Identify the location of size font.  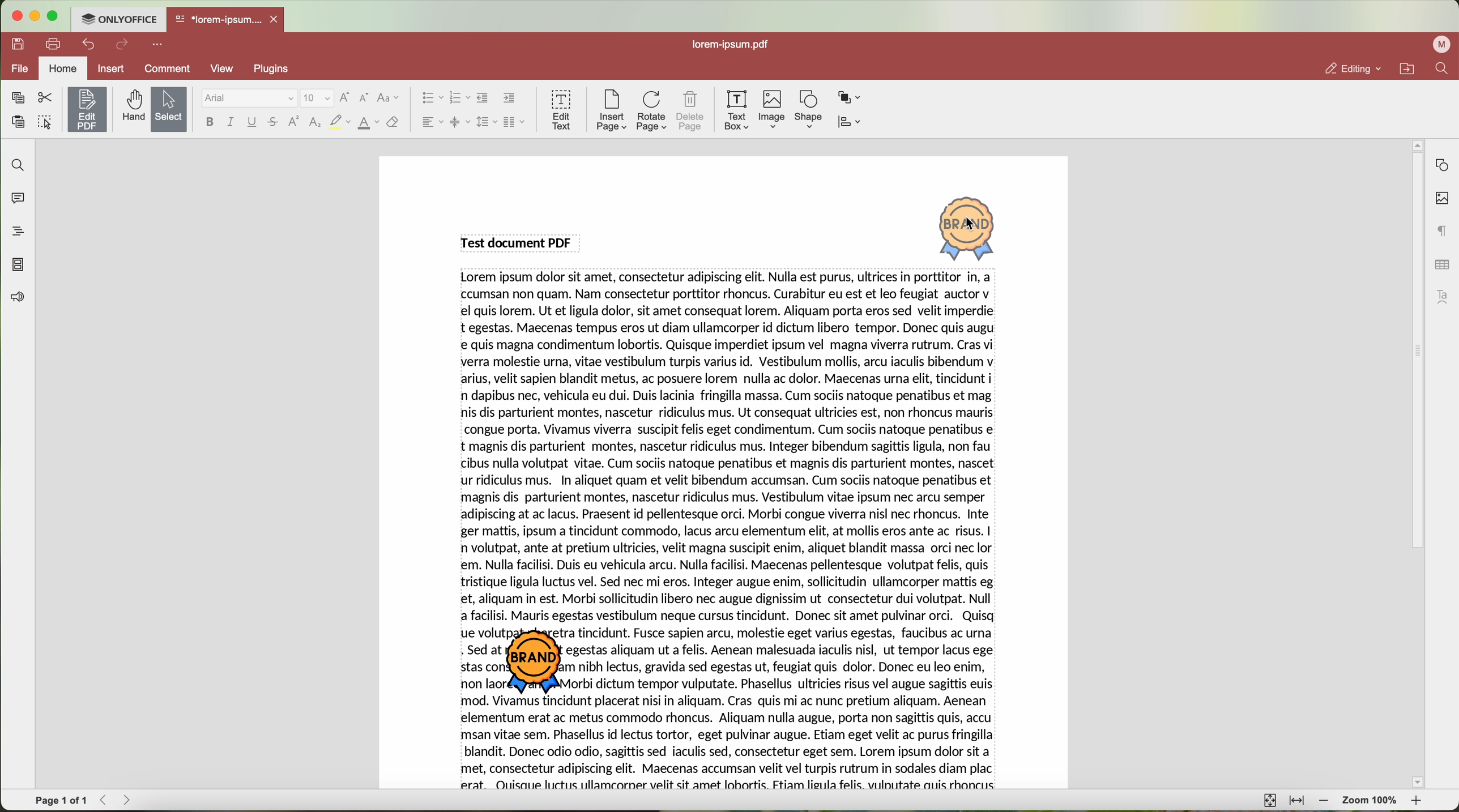
(317, 99).